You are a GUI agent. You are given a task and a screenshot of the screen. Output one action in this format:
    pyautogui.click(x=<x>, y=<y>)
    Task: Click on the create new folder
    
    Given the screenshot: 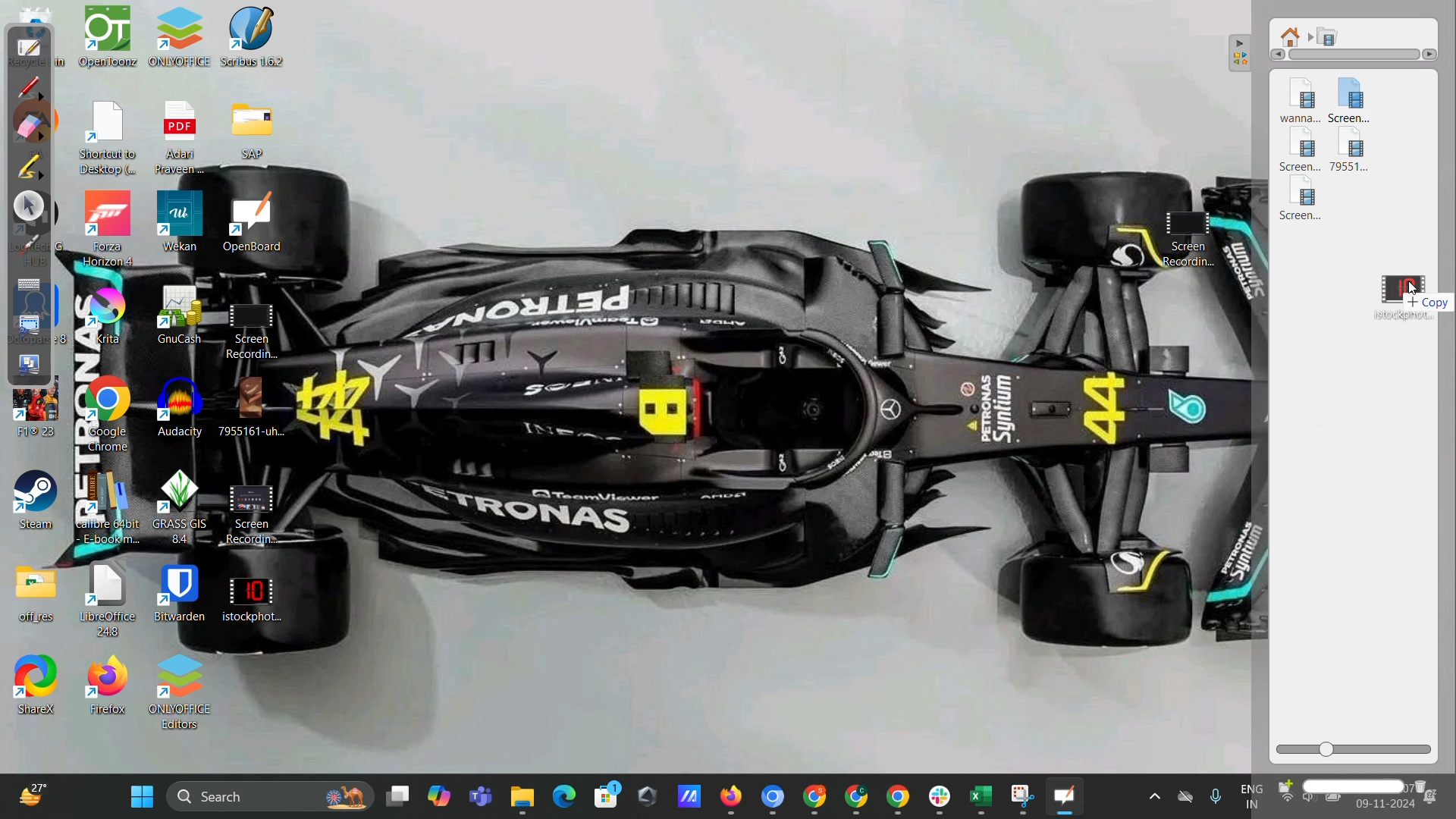 What is the action you would take?
    pyautogui.click(x=1285, y=787)
    